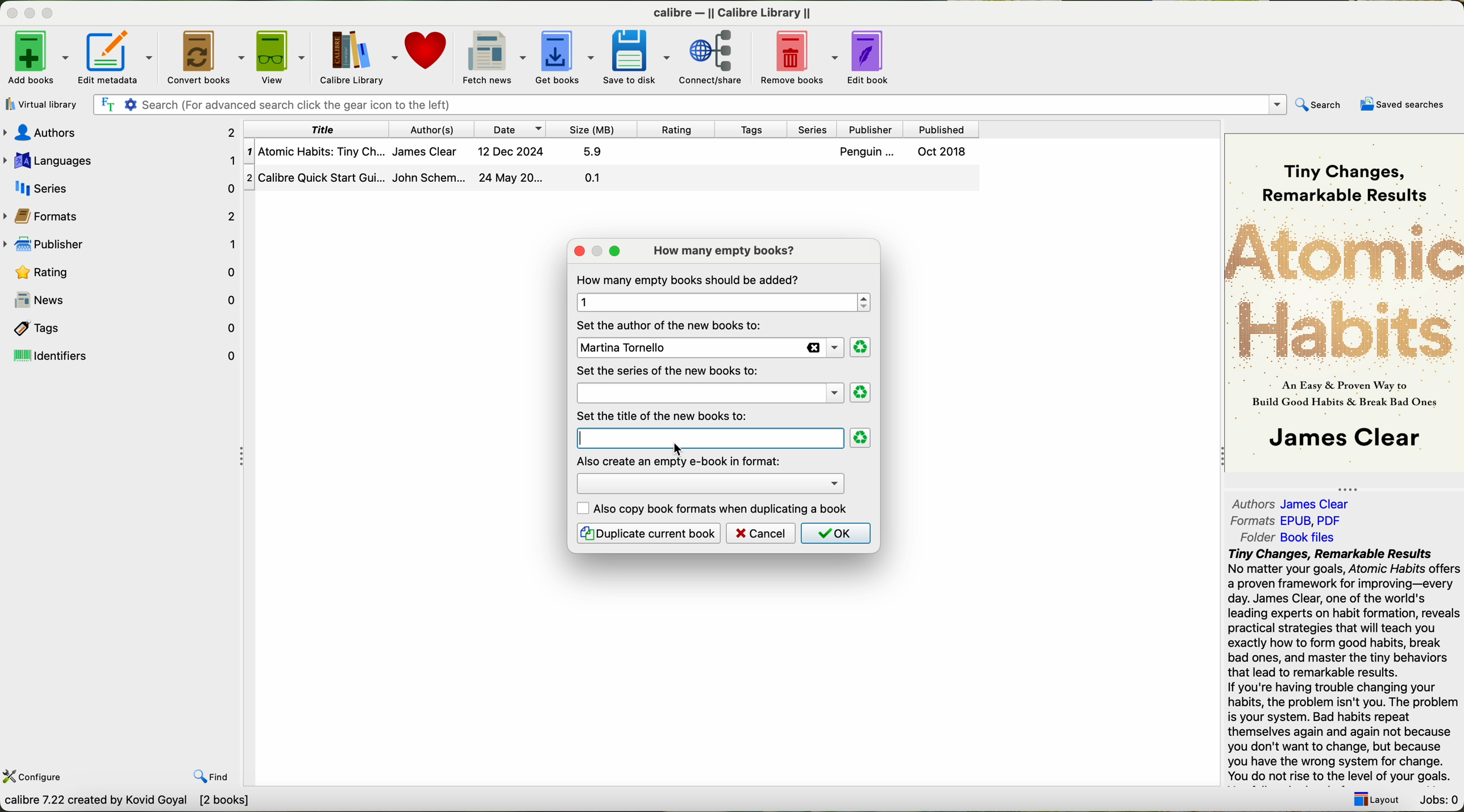 This screenshot has width=1464, height=812. What do you see at coordinates (35, 777) in the screenshot?
I see `configure` at bounding box center [35, 777].